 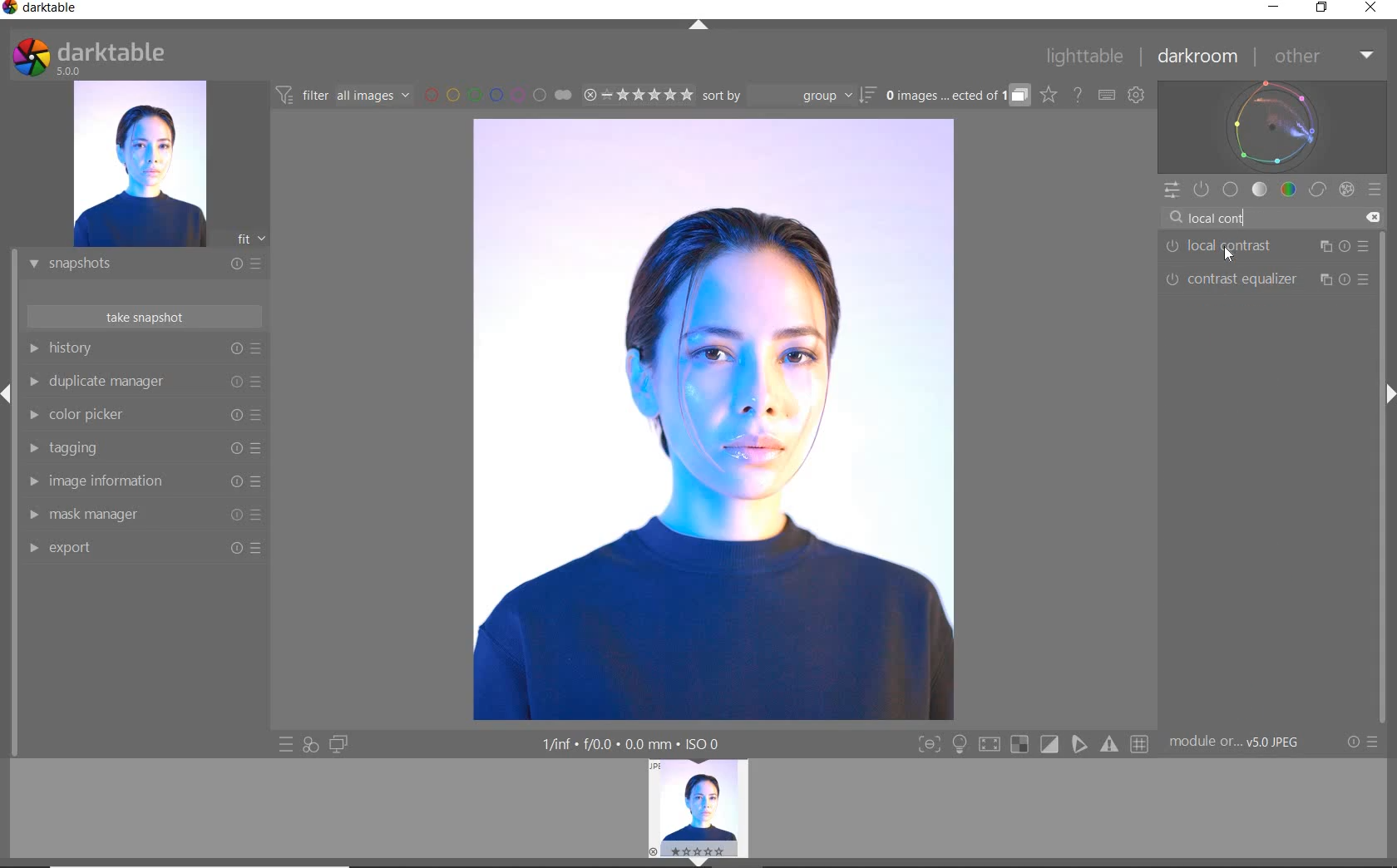 What do you see at coordinates (141, 416) in the screenshot?
I see `COLOR PICKER` at bounding box center [141, 416].